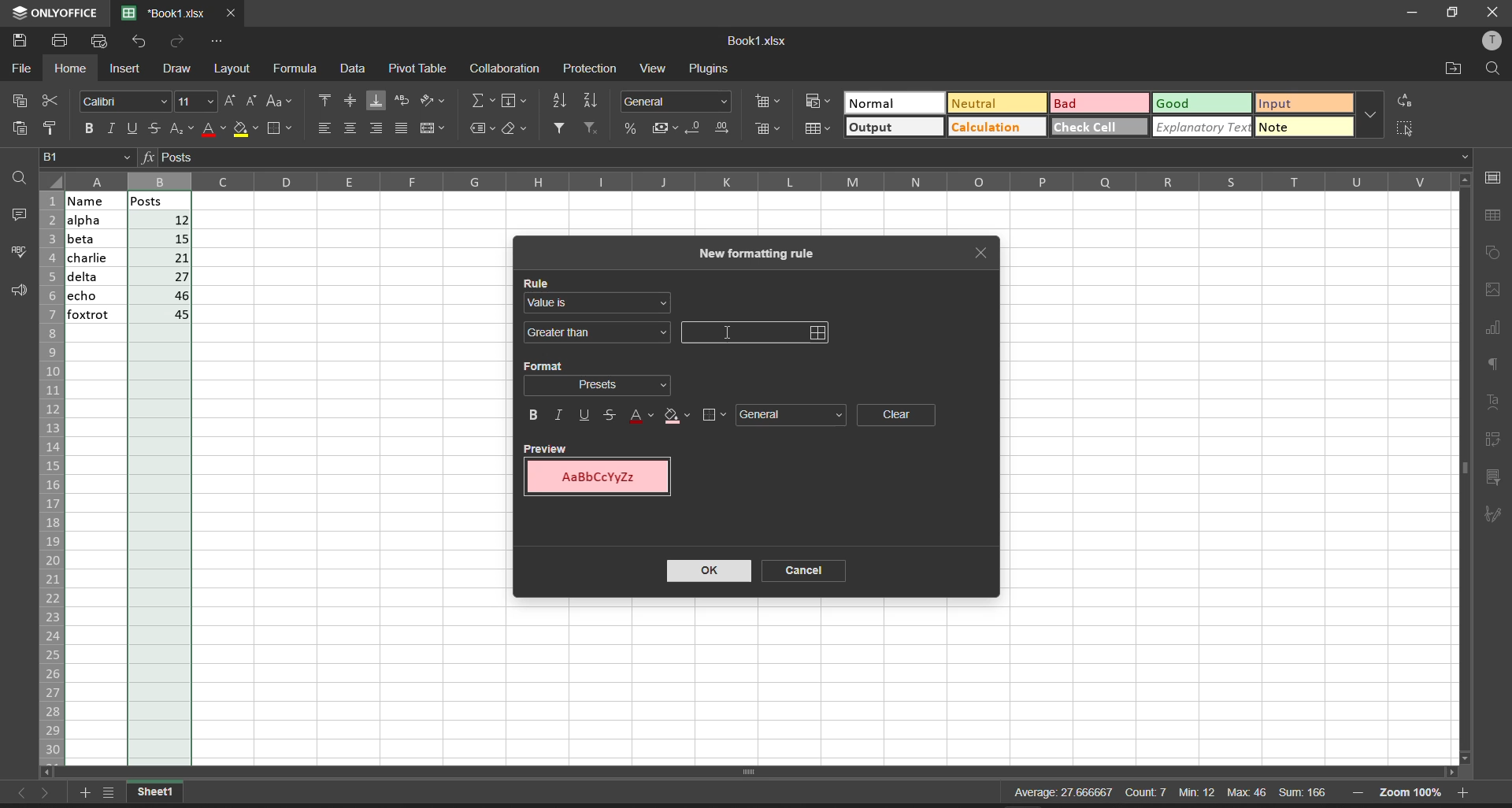 The width and height of the screenshot is (1512, 808). Describe the element at coordinates (976, 102) in the screenshot. I see `Neutral` at that location.